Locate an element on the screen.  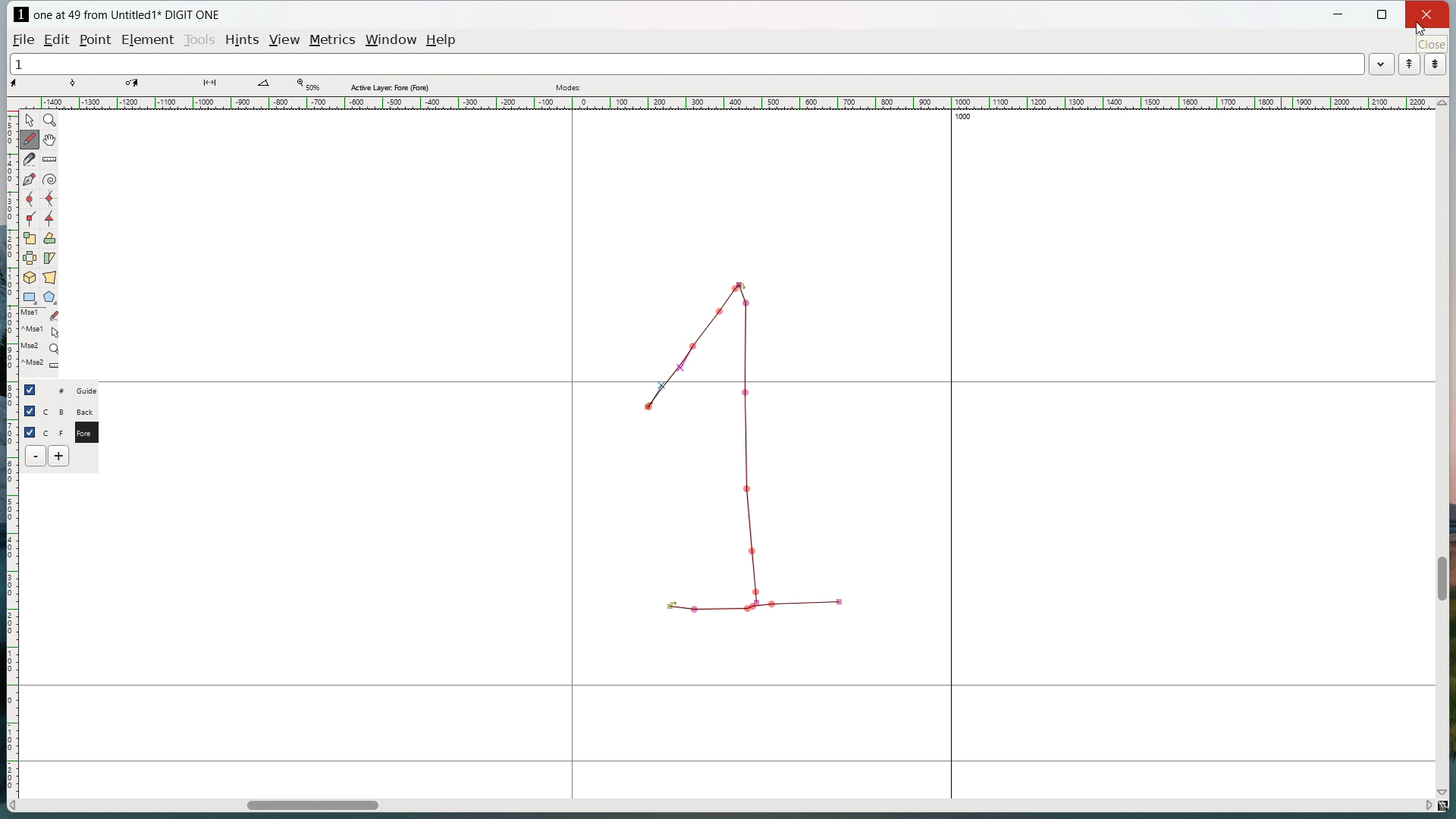
modes is located at coordinates (570, 87).